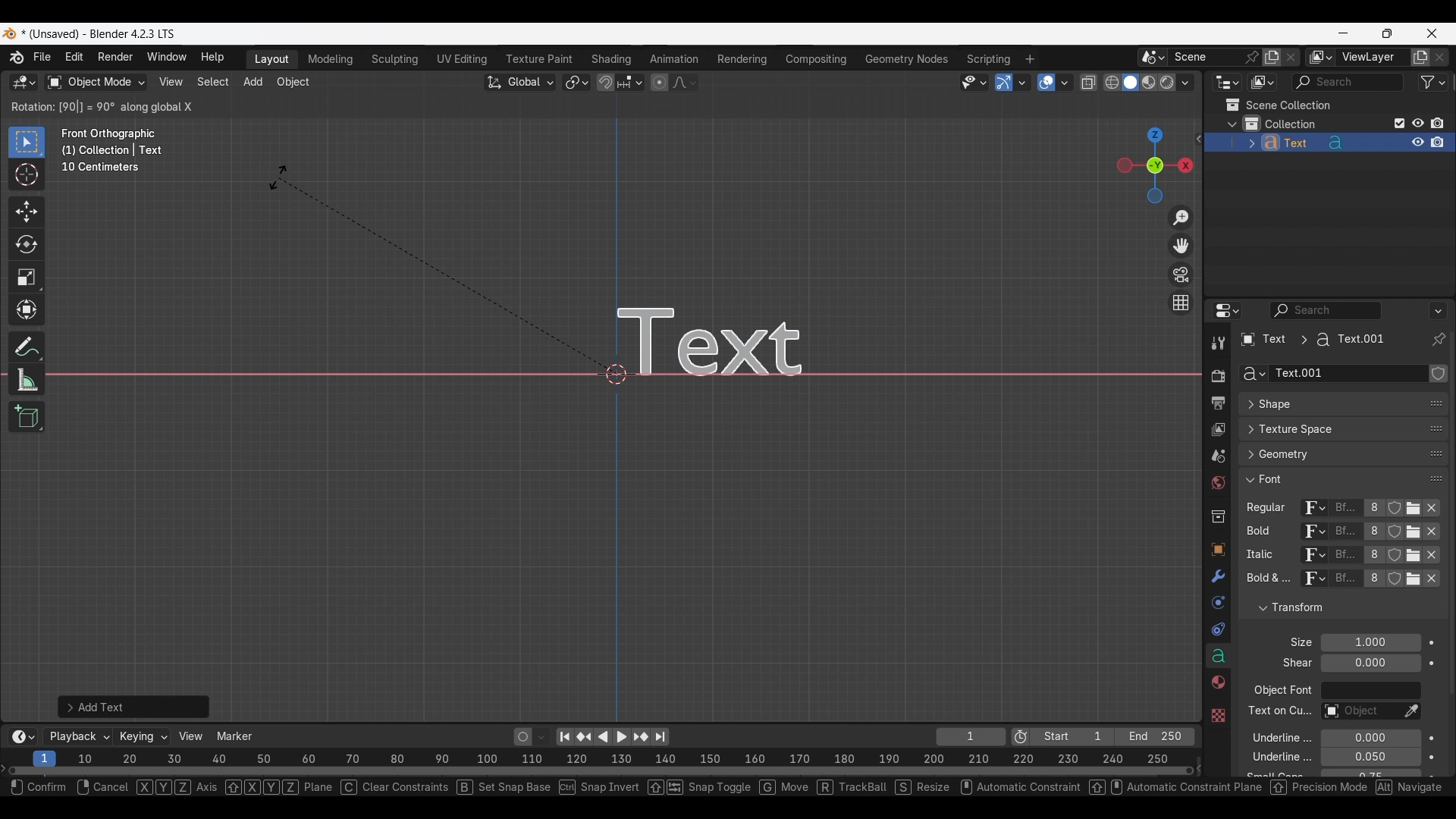  What do you see at coordinates (1216, 683) in the screenshot?
I see `Material` at bounding box center [1216, 683].